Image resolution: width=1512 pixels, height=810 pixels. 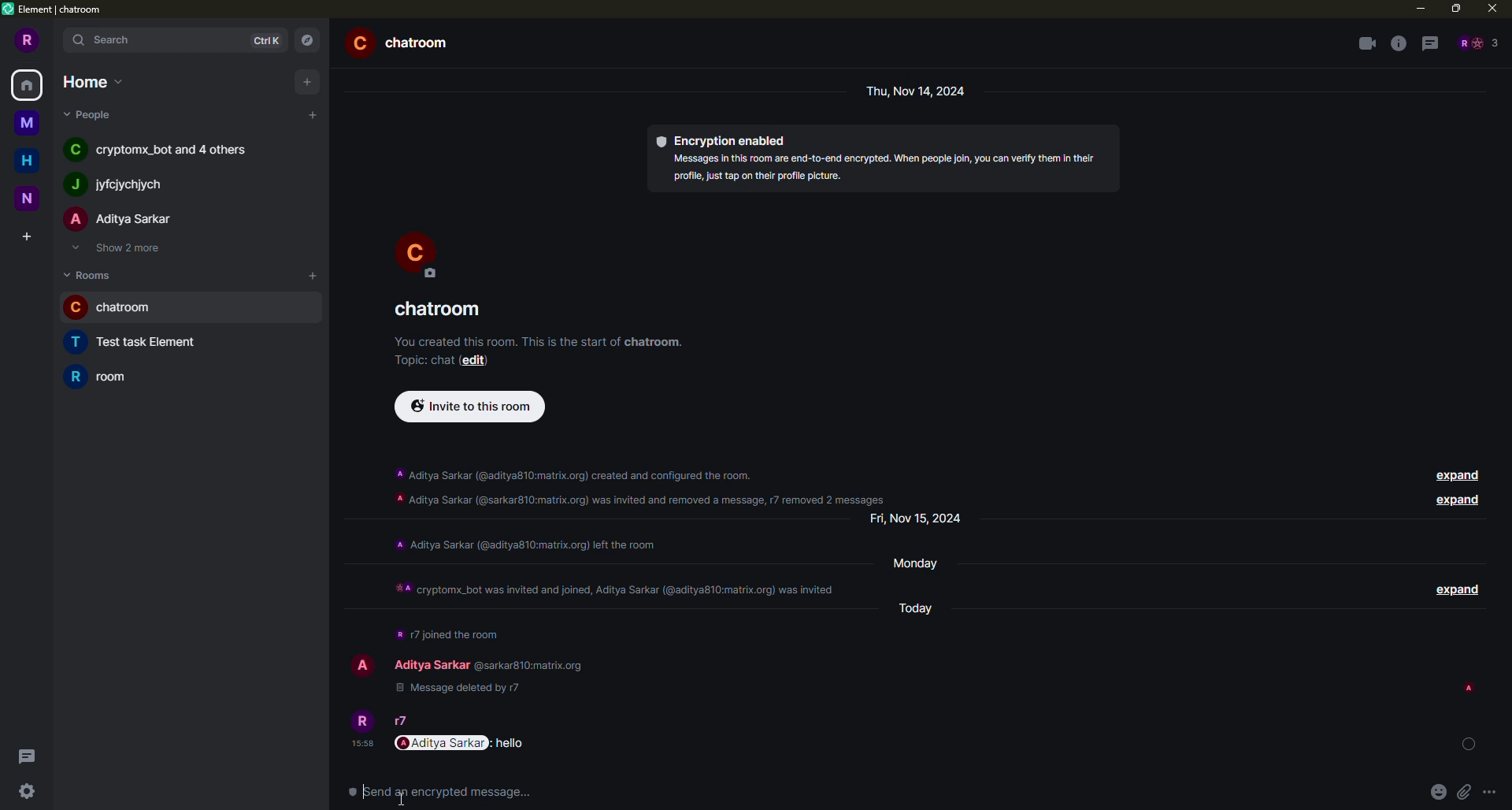 I want to click on cursor, so click(x=402, y=799).